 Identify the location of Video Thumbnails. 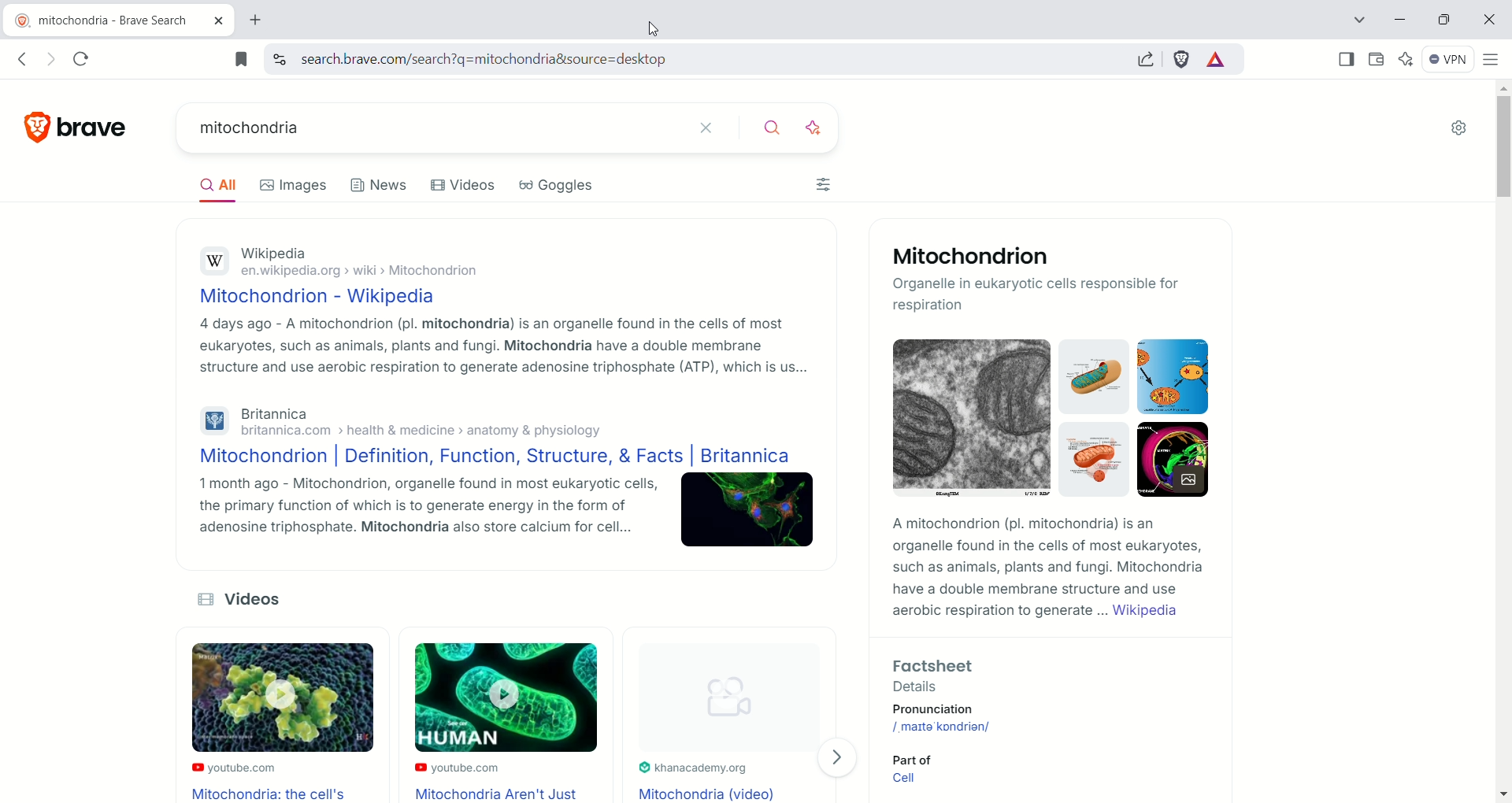
(488, 701).